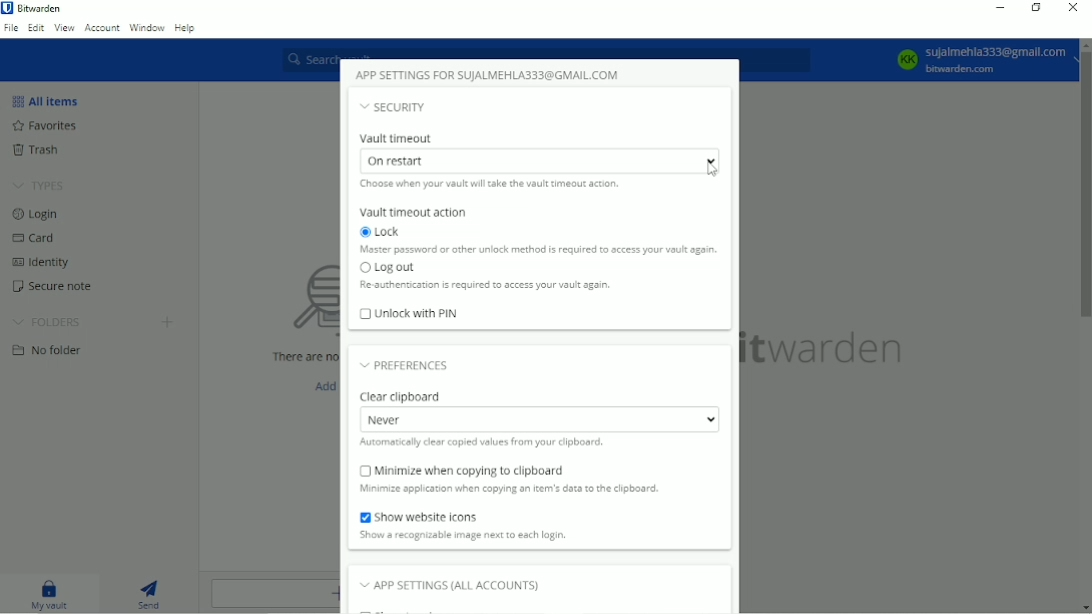  I want to click on View, so click(64, 29).